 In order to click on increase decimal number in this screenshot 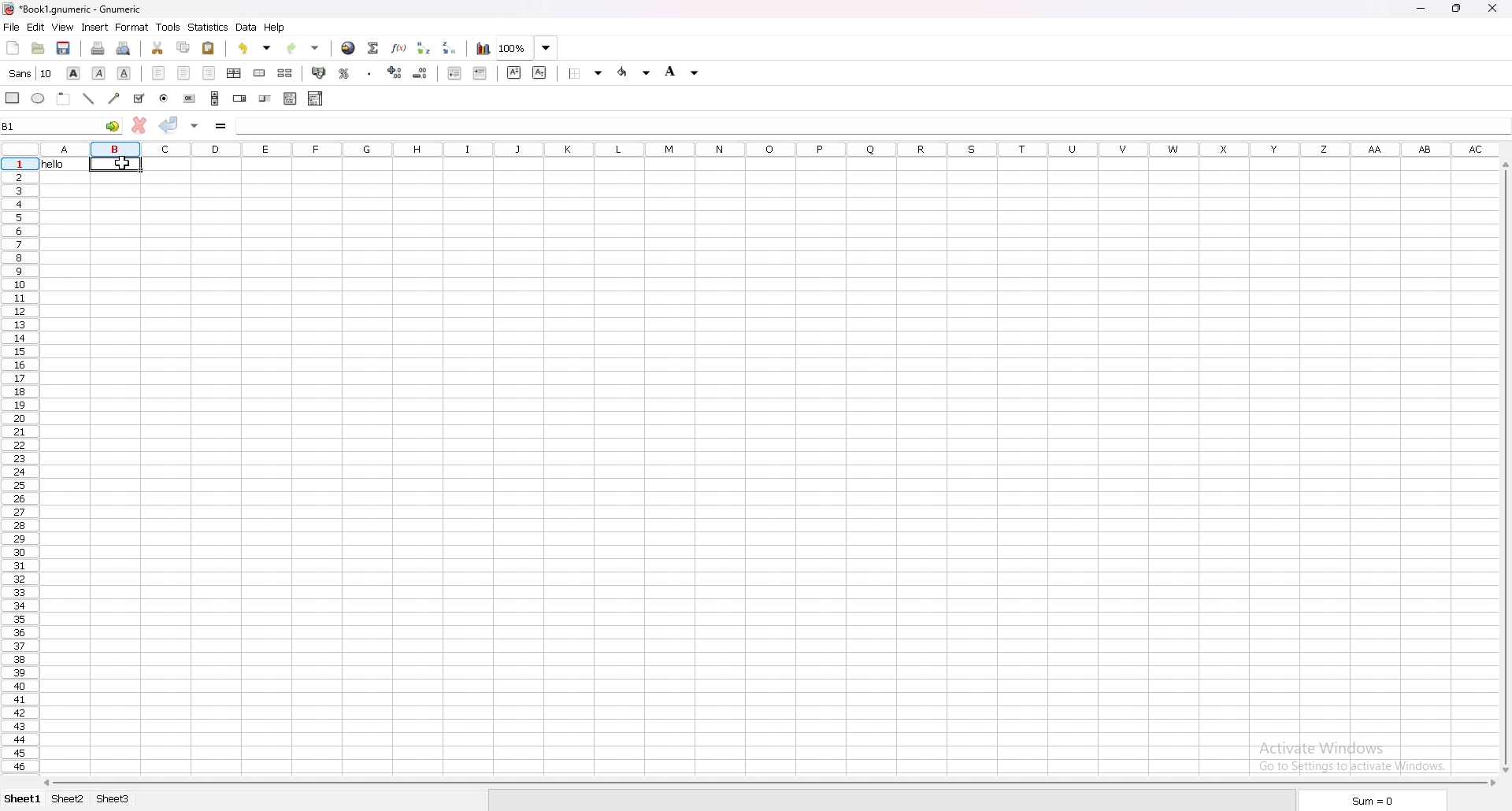, I will do `click(395, 72)`.